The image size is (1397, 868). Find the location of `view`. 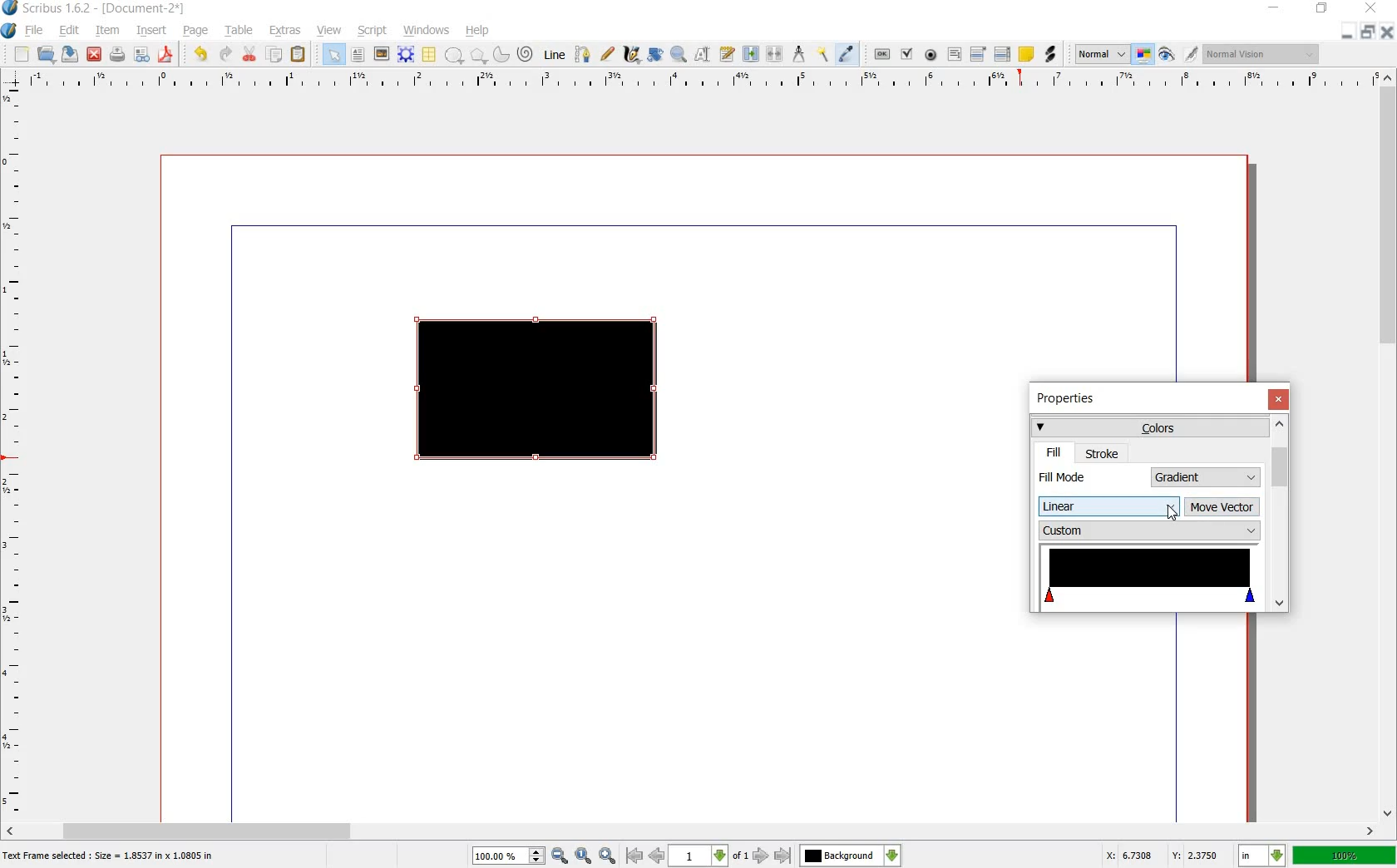

view is located at coordinates (330, 31).